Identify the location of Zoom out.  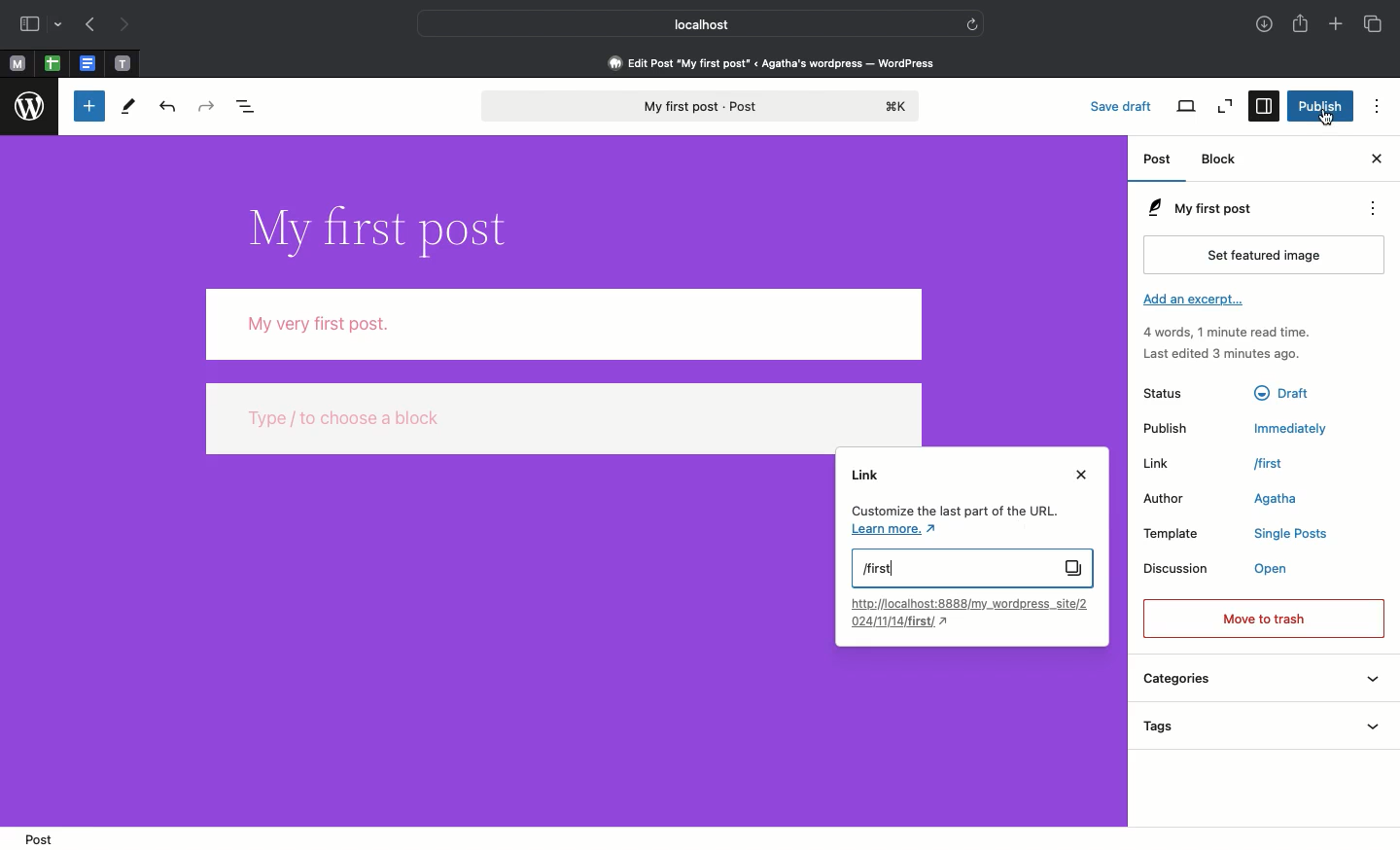
(1227, 108).